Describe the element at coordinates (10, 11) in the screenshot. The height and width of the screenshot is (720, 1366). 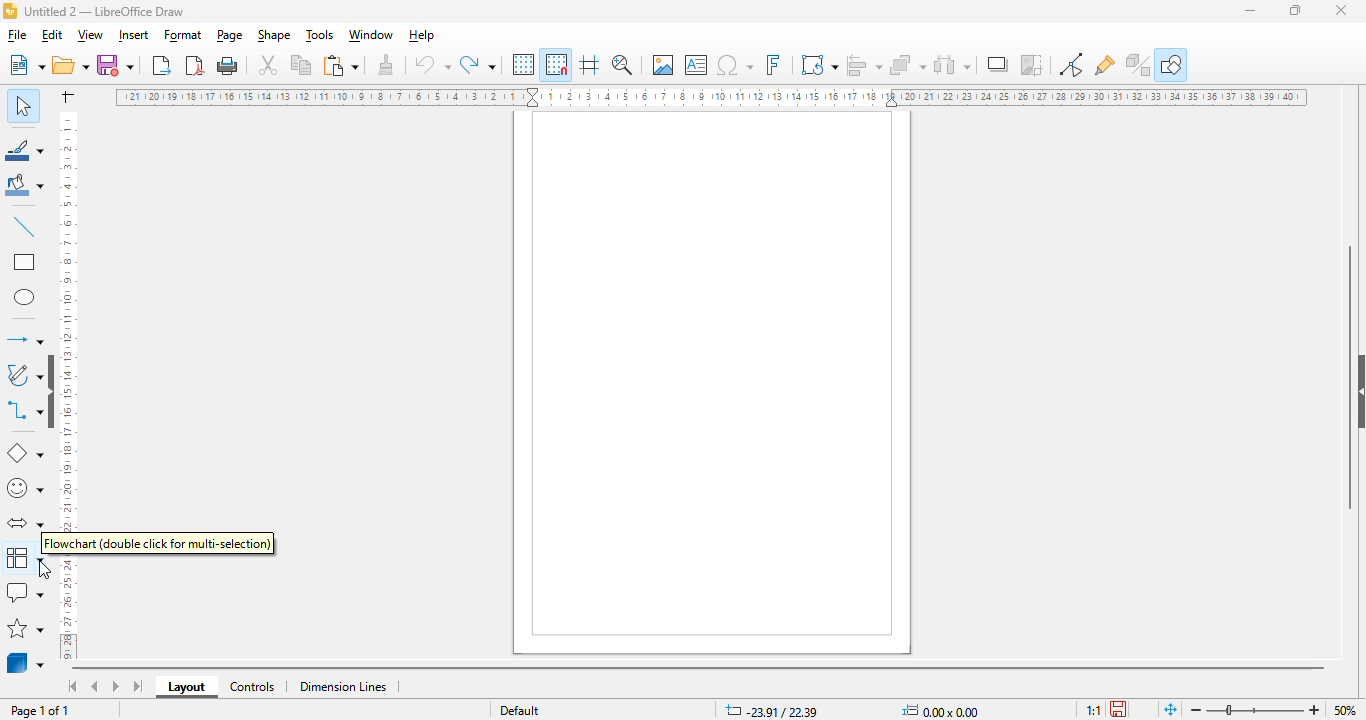
I see `logo` at that location.